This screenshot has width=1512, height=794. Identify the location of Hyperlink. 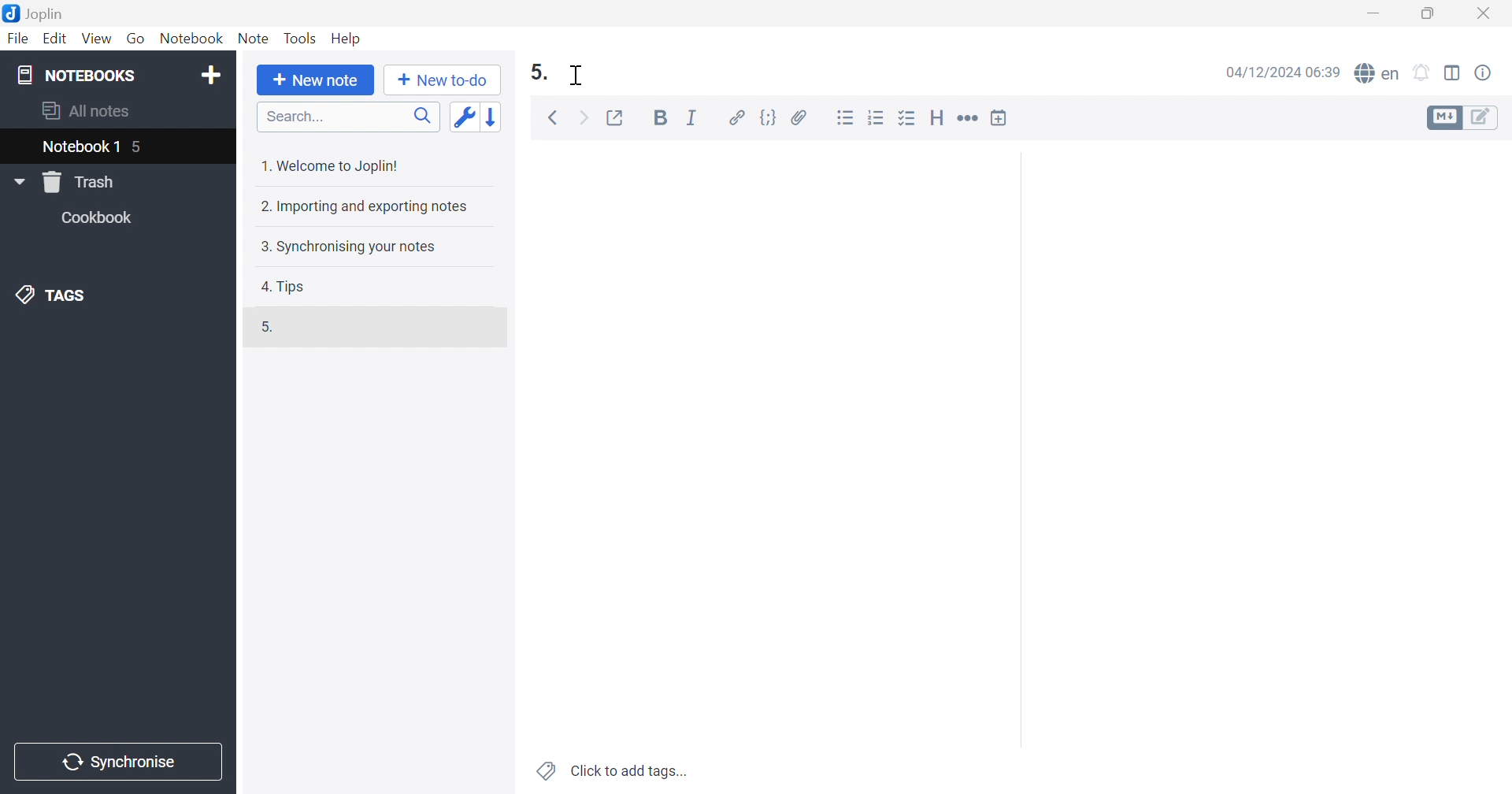
(736, 117).